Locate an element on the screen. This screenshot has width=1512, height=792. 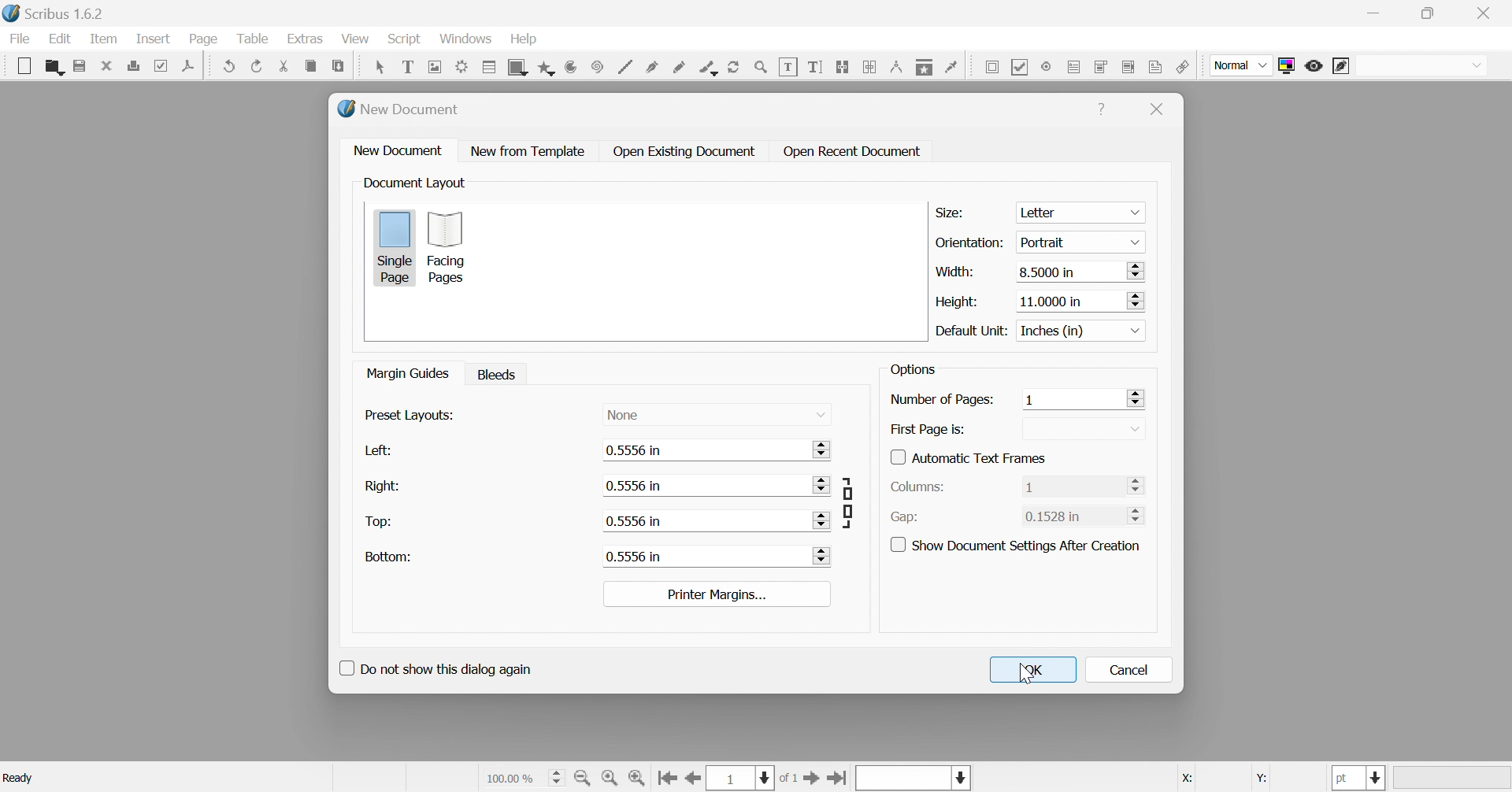
default unit is located at coordinates (971, 331).